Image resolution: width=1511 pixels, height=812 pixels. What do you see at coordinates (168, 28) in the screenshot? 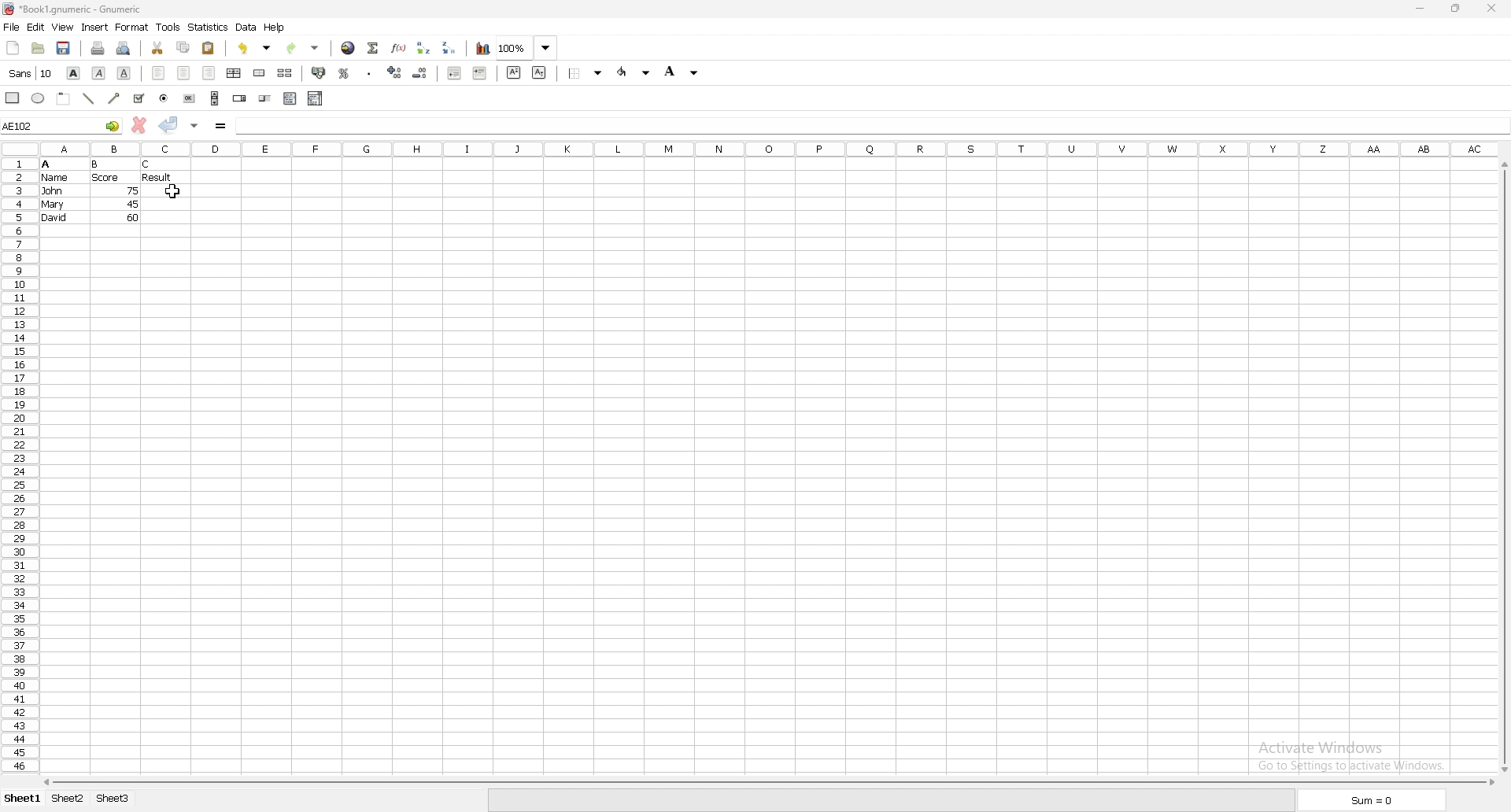
I see `tools` at bounding box center [168, 28].